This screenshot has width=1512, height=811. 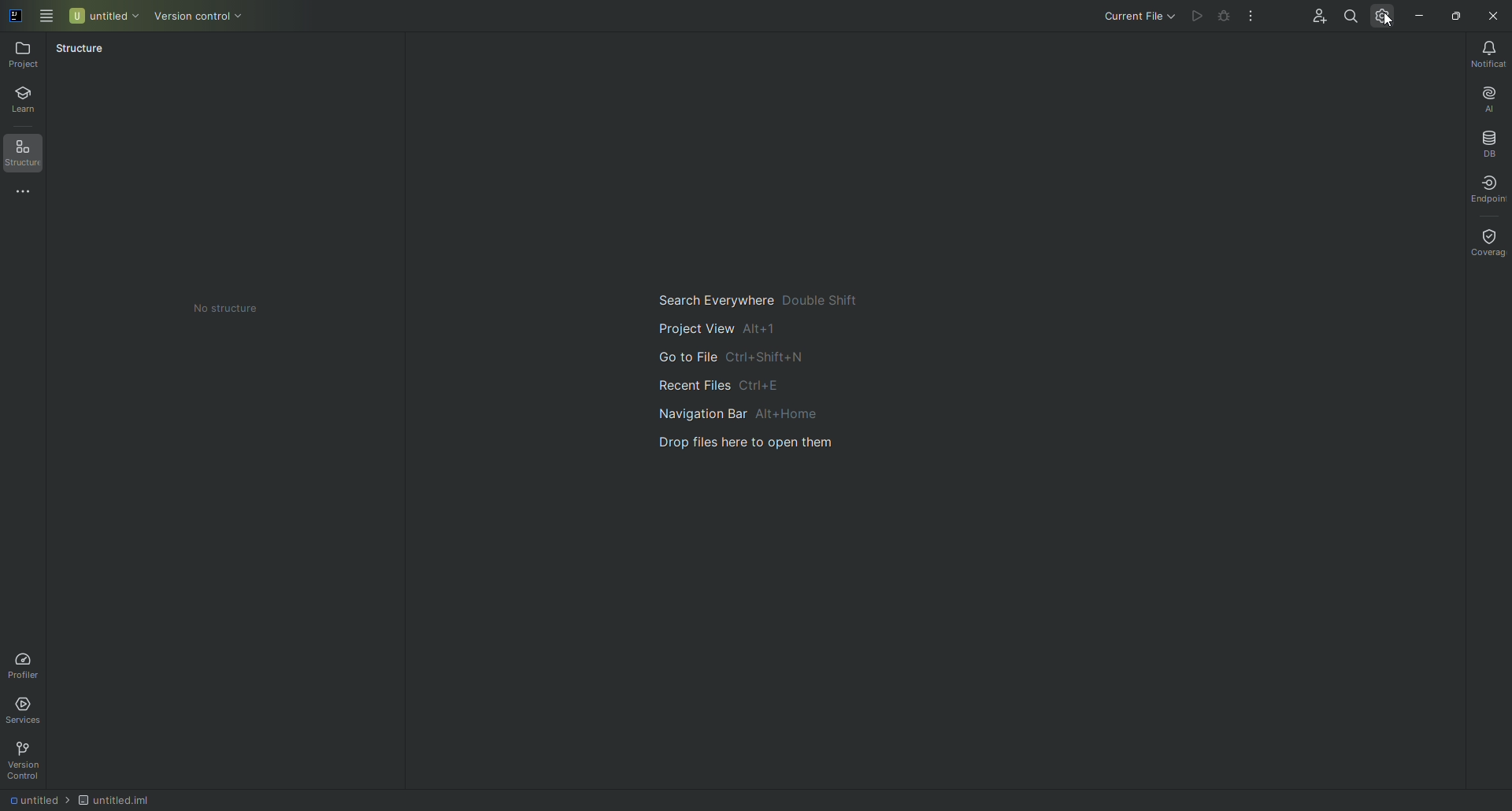 I want to click on Application logo, so click(x=19, y=19).